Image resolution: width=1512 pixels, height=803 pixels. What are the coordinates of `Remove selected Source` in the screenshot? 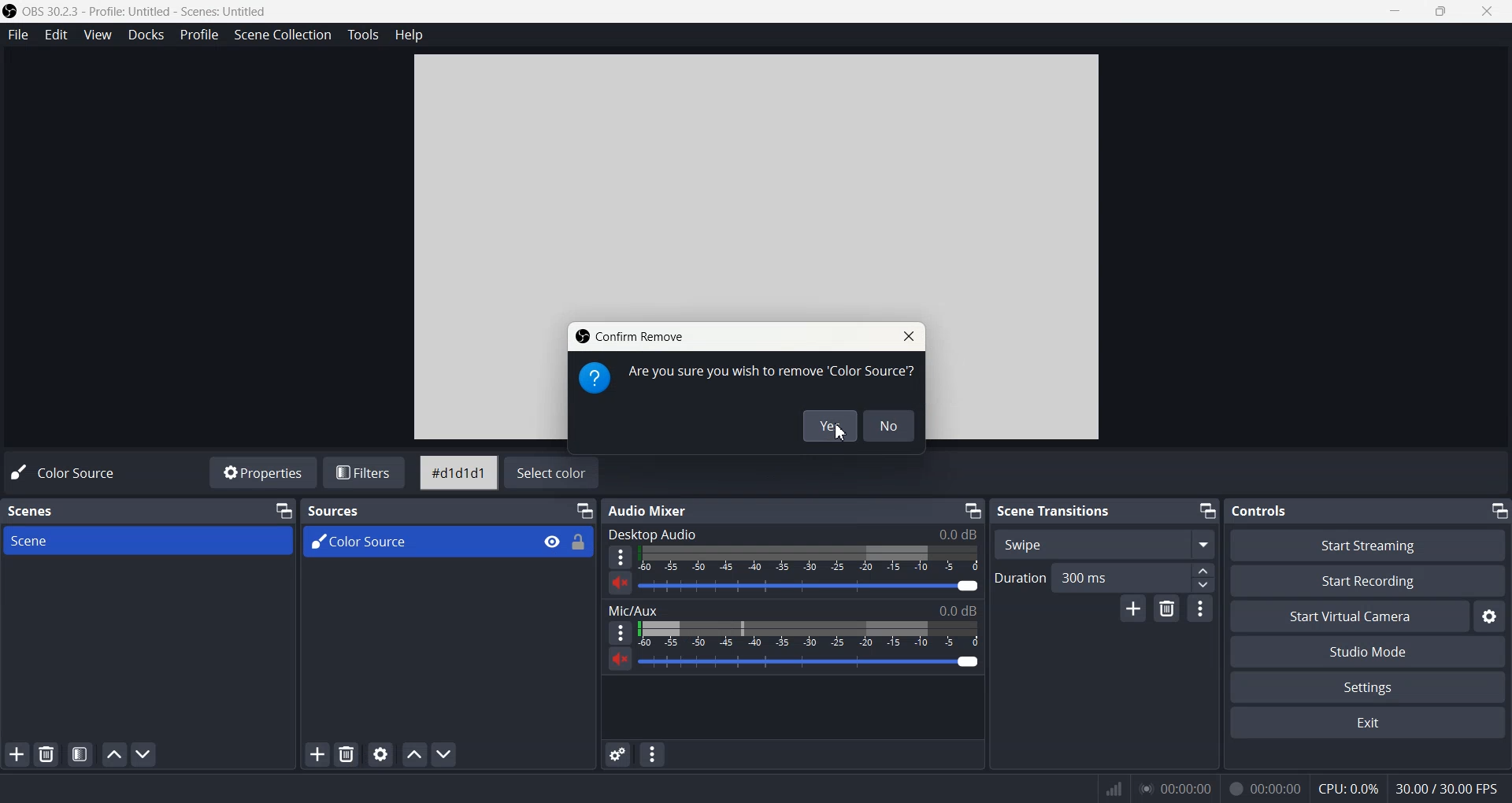 It's located at (348, 754).